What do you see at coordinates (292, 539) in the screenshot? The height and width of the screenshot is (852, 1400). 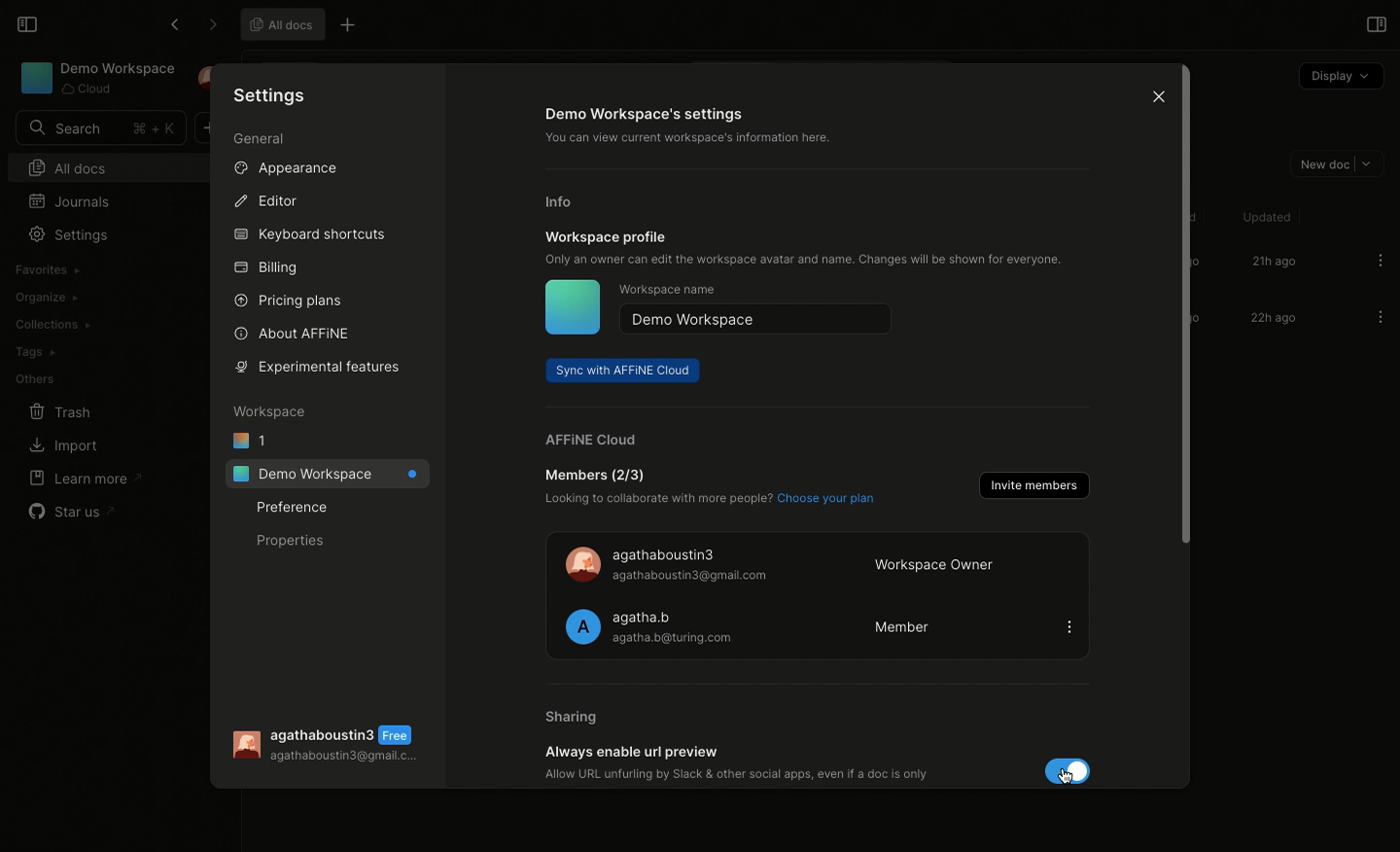 I see `Properties` at bounding box center [292, 539].